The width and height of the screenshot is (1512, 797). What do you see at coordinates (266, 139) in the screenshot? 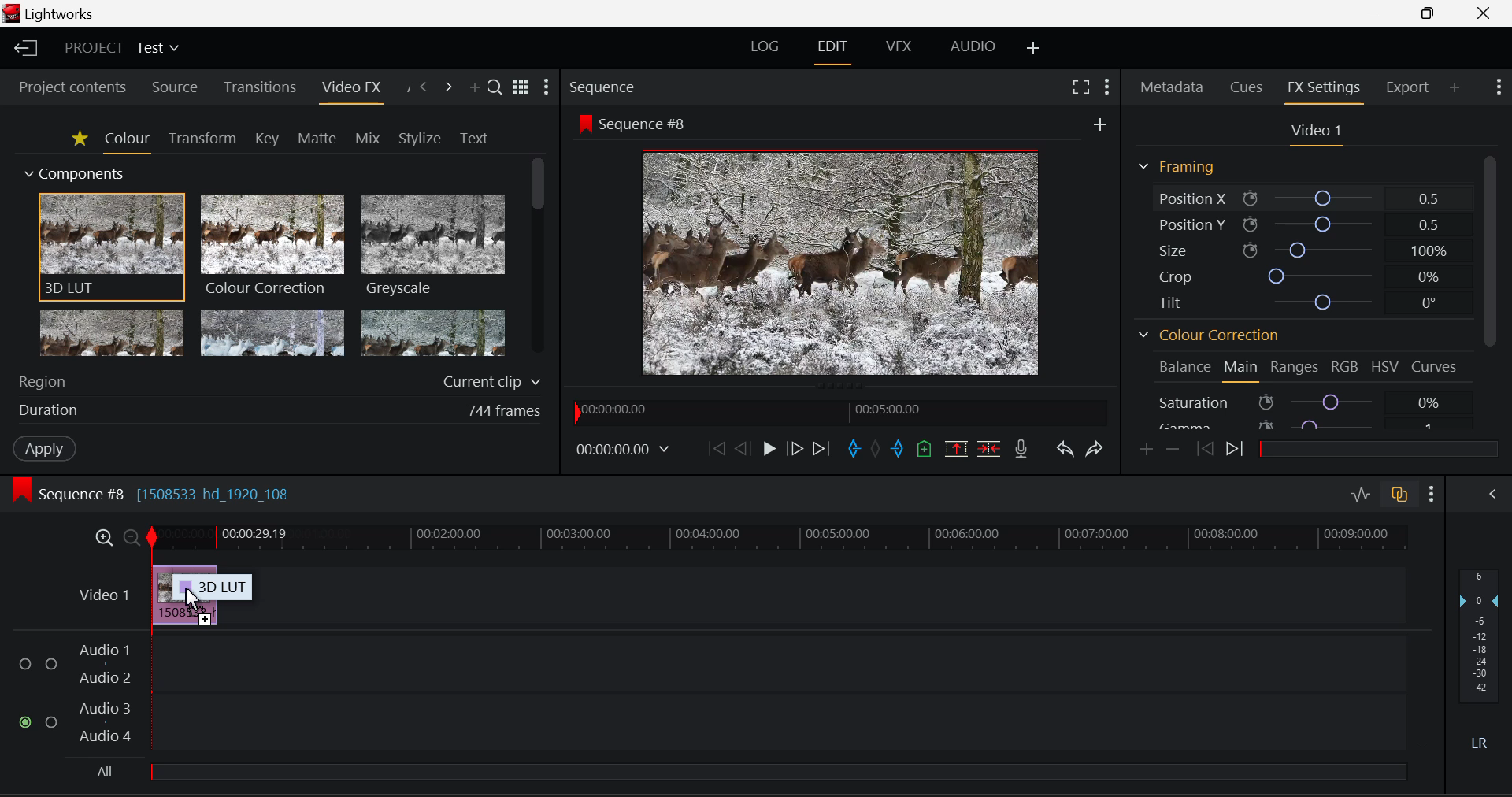
I see `Key` at bounding box center [266, 139].